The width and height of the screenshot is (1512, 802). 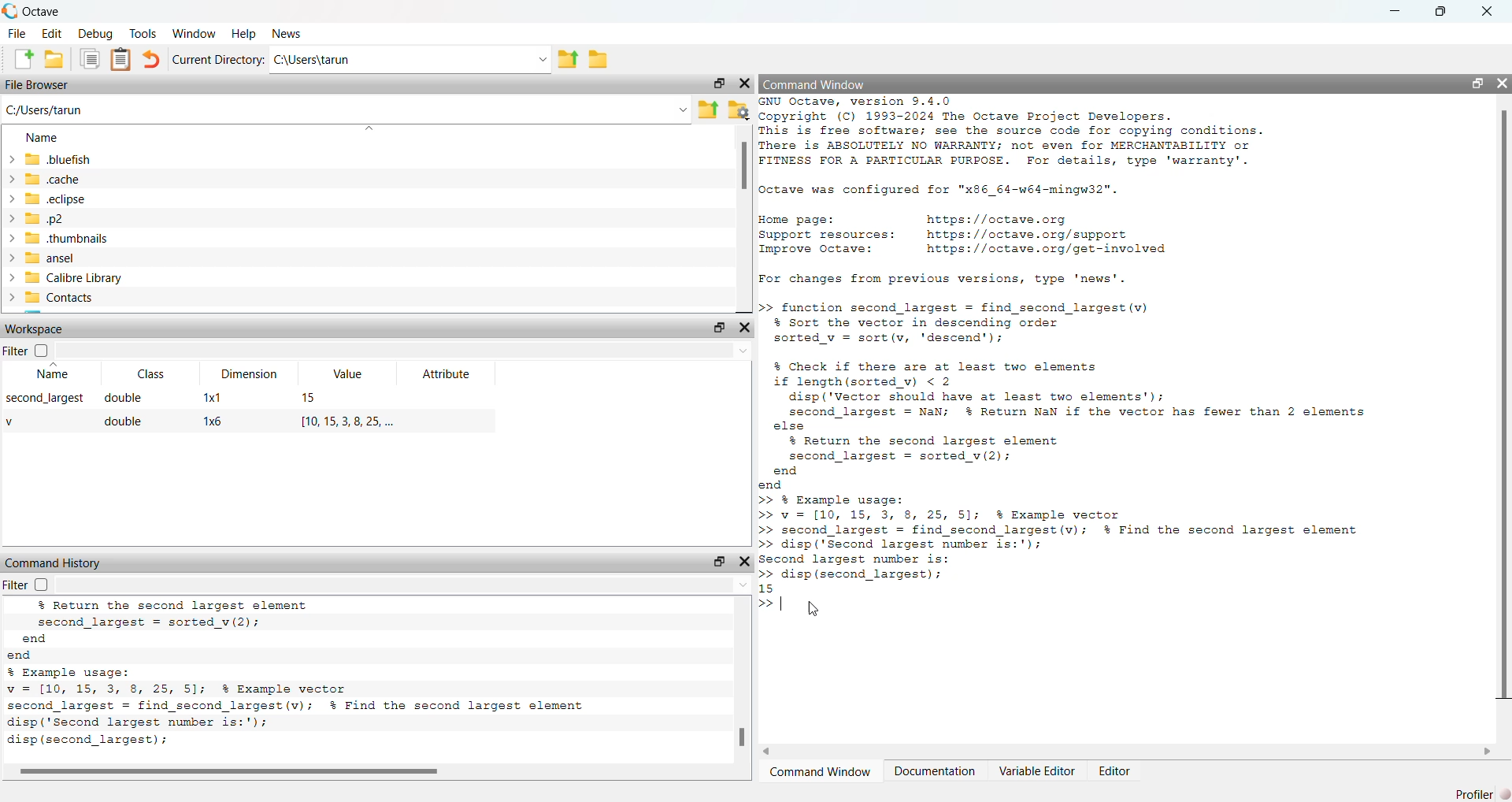 What do you see at coordinates (1398, 12) in the screenshot?
I see `minimize` at bounding box center [1398, 12].